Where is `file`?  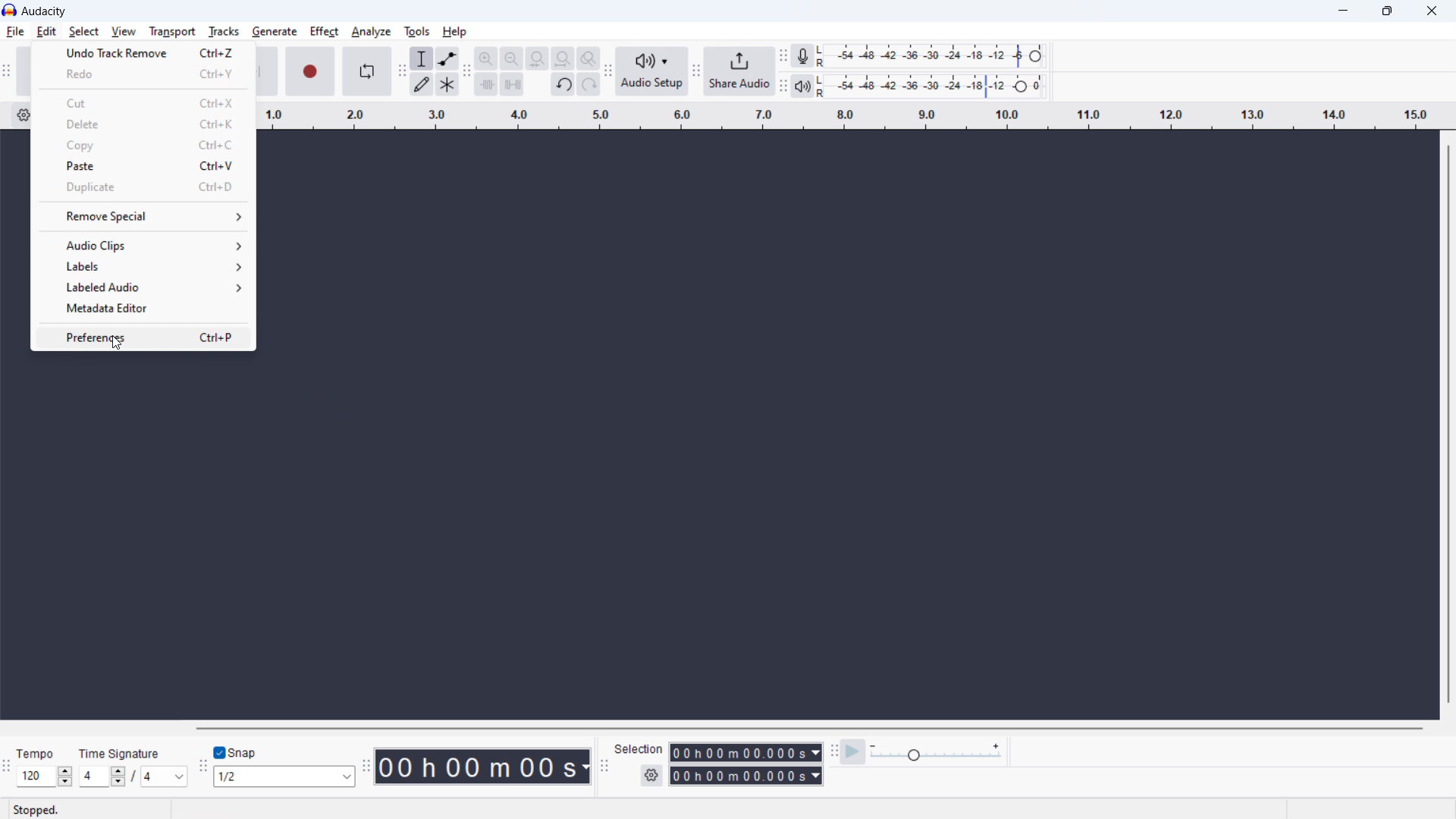
file is located at coordinates (14, 32).